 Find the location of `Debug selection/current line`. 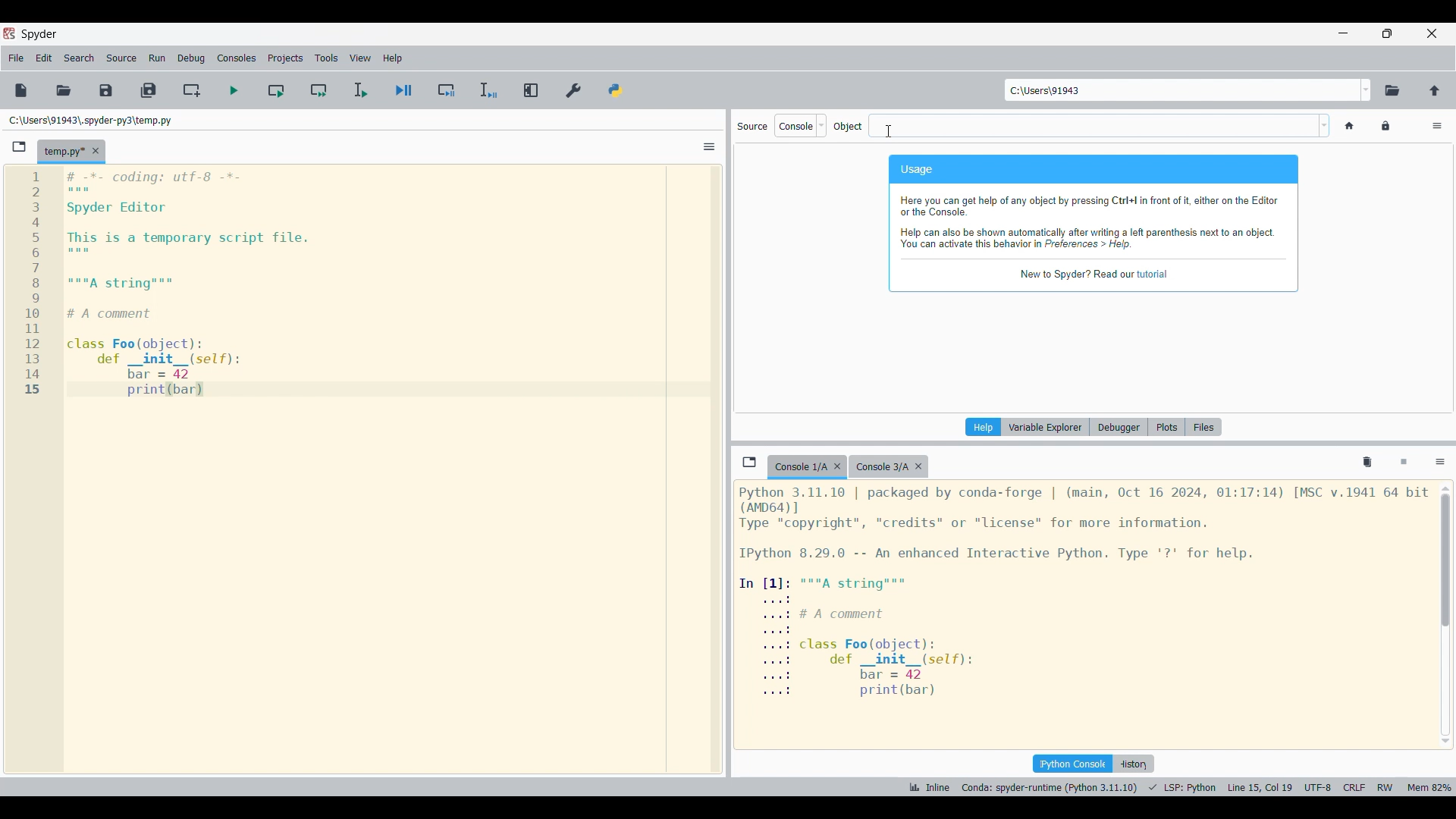

Debug selection/current line is located at coordinates (488, 90).